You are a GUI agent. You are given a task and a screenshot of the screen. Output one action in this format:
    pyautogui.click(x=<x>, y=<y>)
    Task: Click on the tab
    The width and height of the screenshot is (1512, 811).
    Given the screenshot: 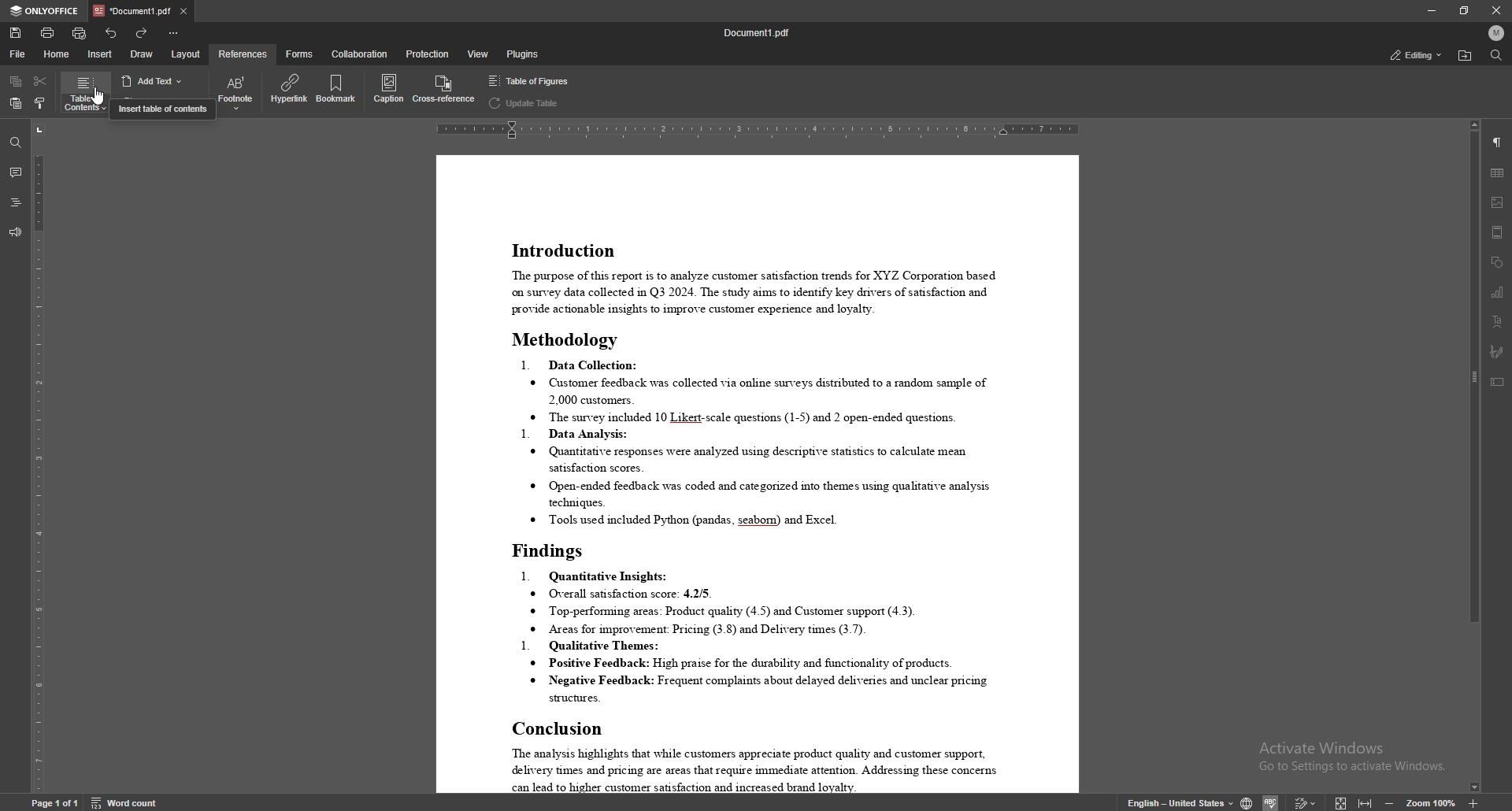 What is the action you would take?
    pyautogui.click(x=130, y=10)
    